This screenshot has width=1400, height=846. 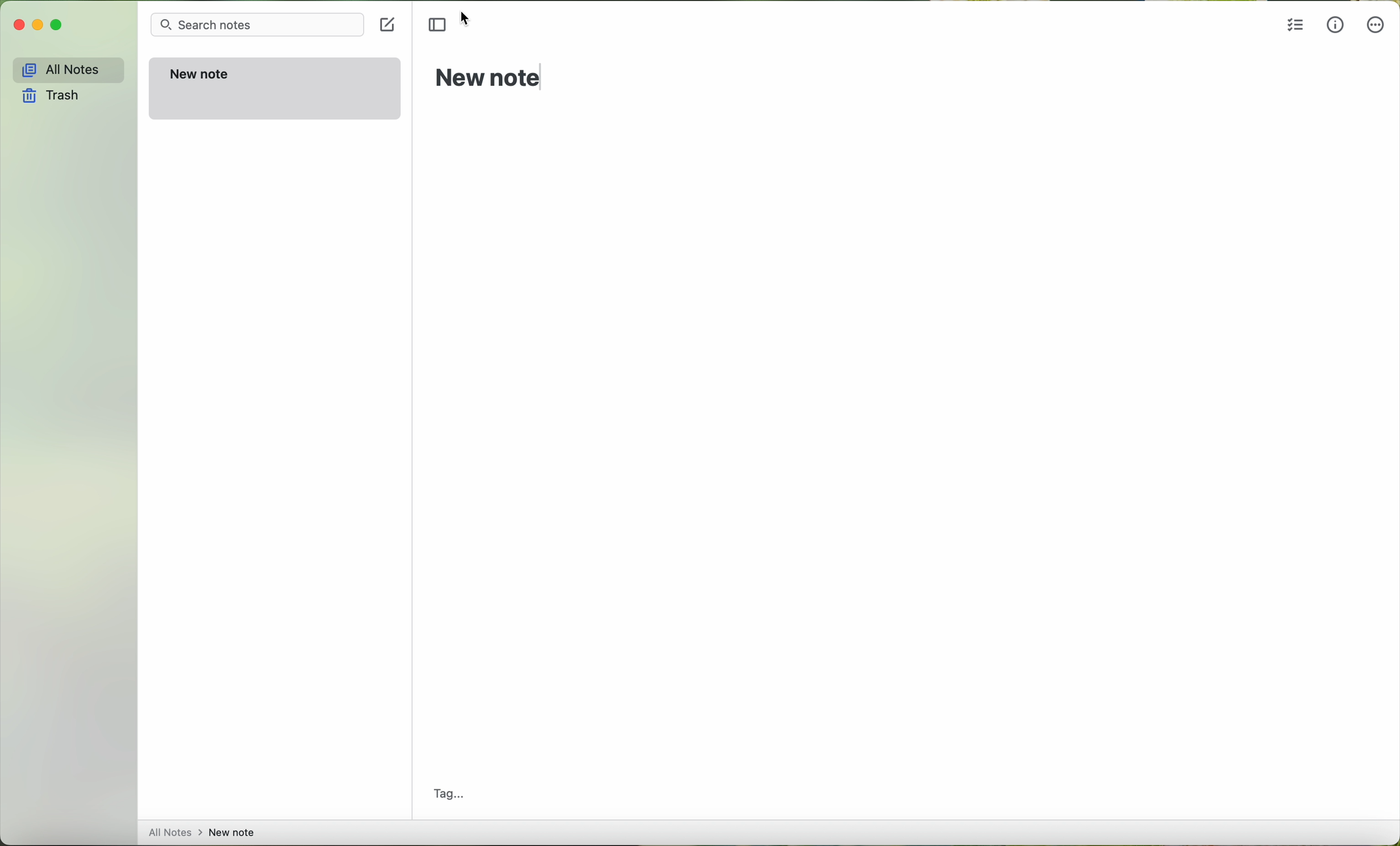 I want to click on toggle sidebr, so click(x=436, y=26).